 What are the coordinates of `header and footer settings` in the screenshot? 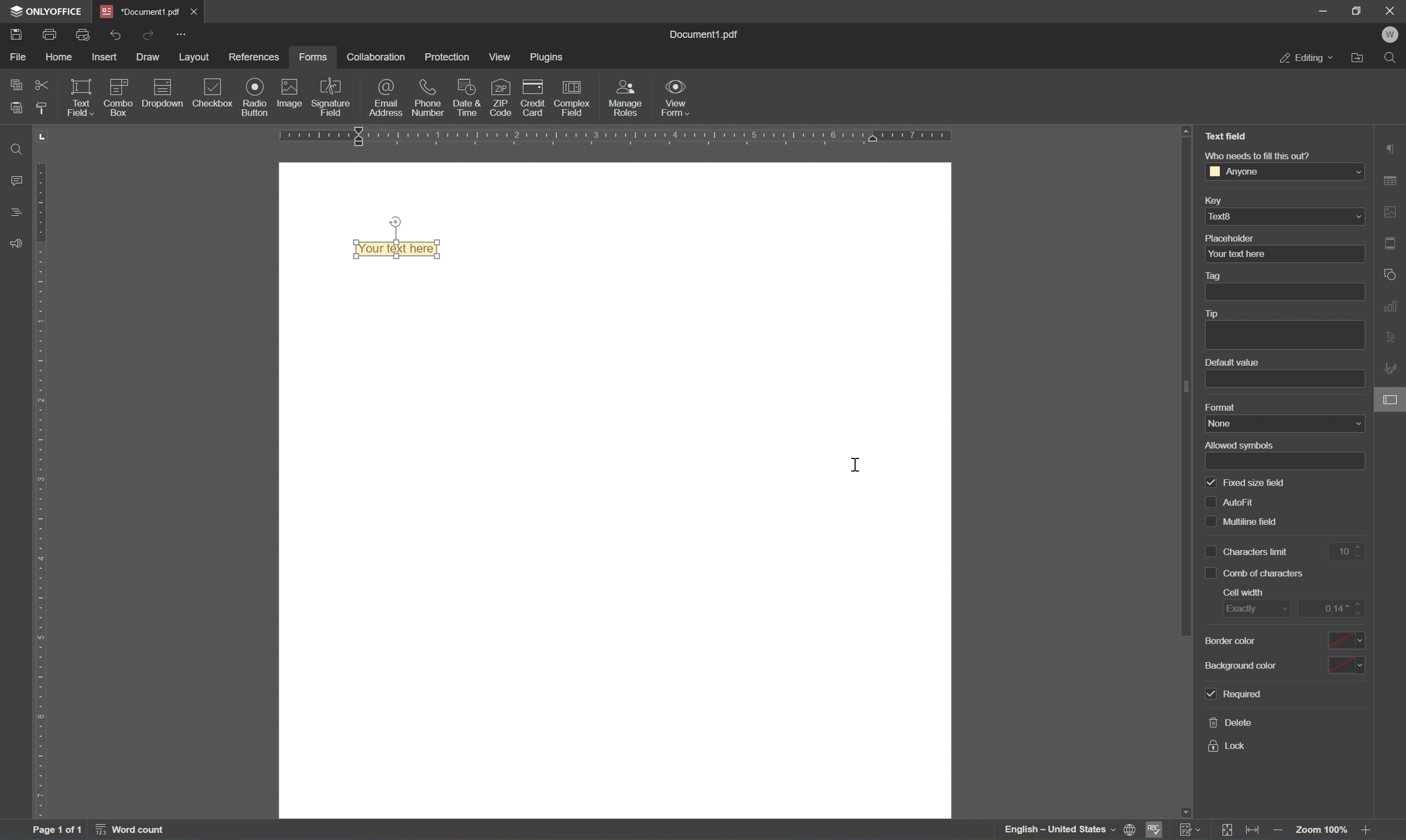 It's located at (1391, 243).